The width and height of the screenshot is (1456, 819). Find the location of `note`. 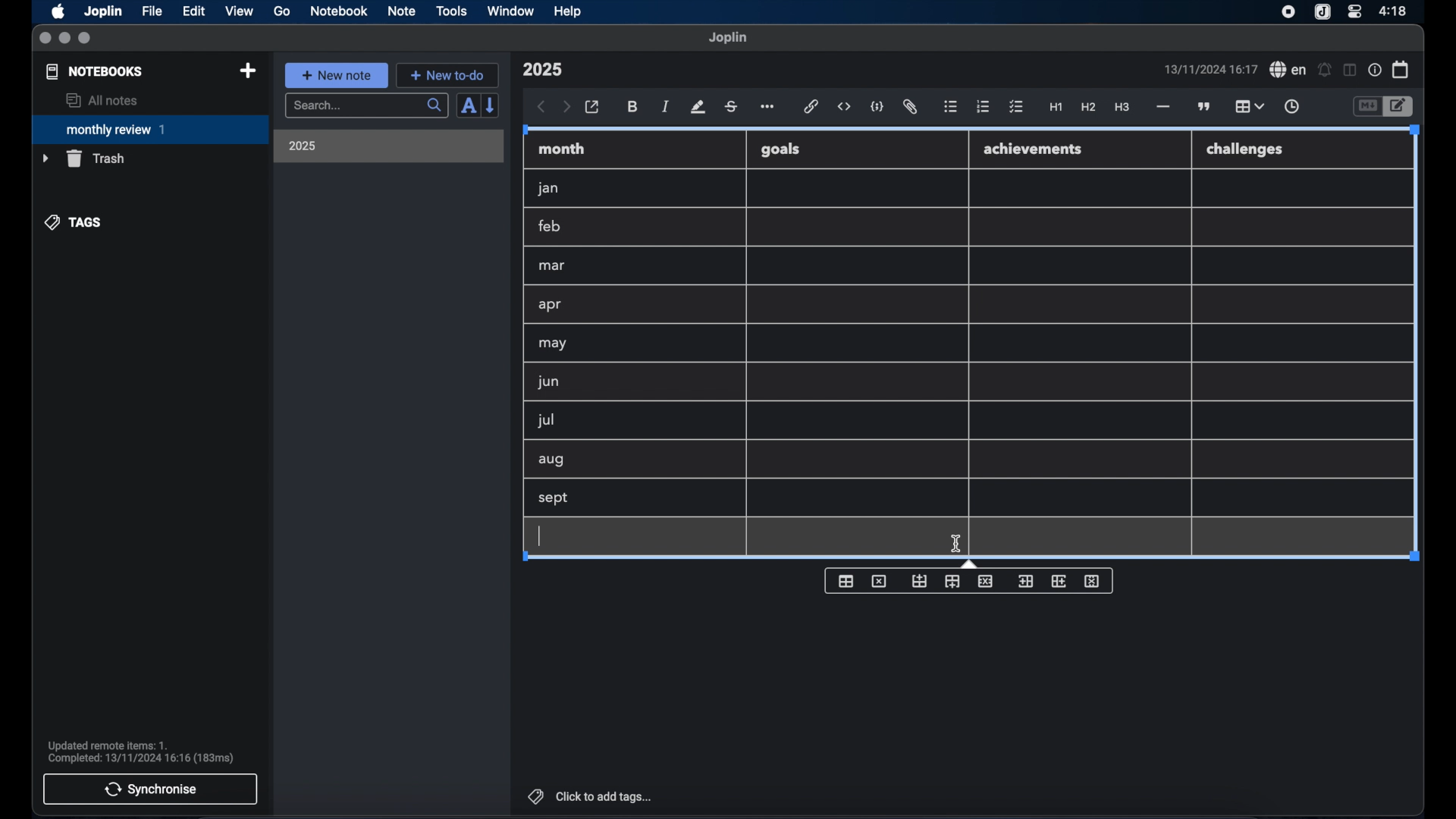

note is located at coordinates (402, 11).